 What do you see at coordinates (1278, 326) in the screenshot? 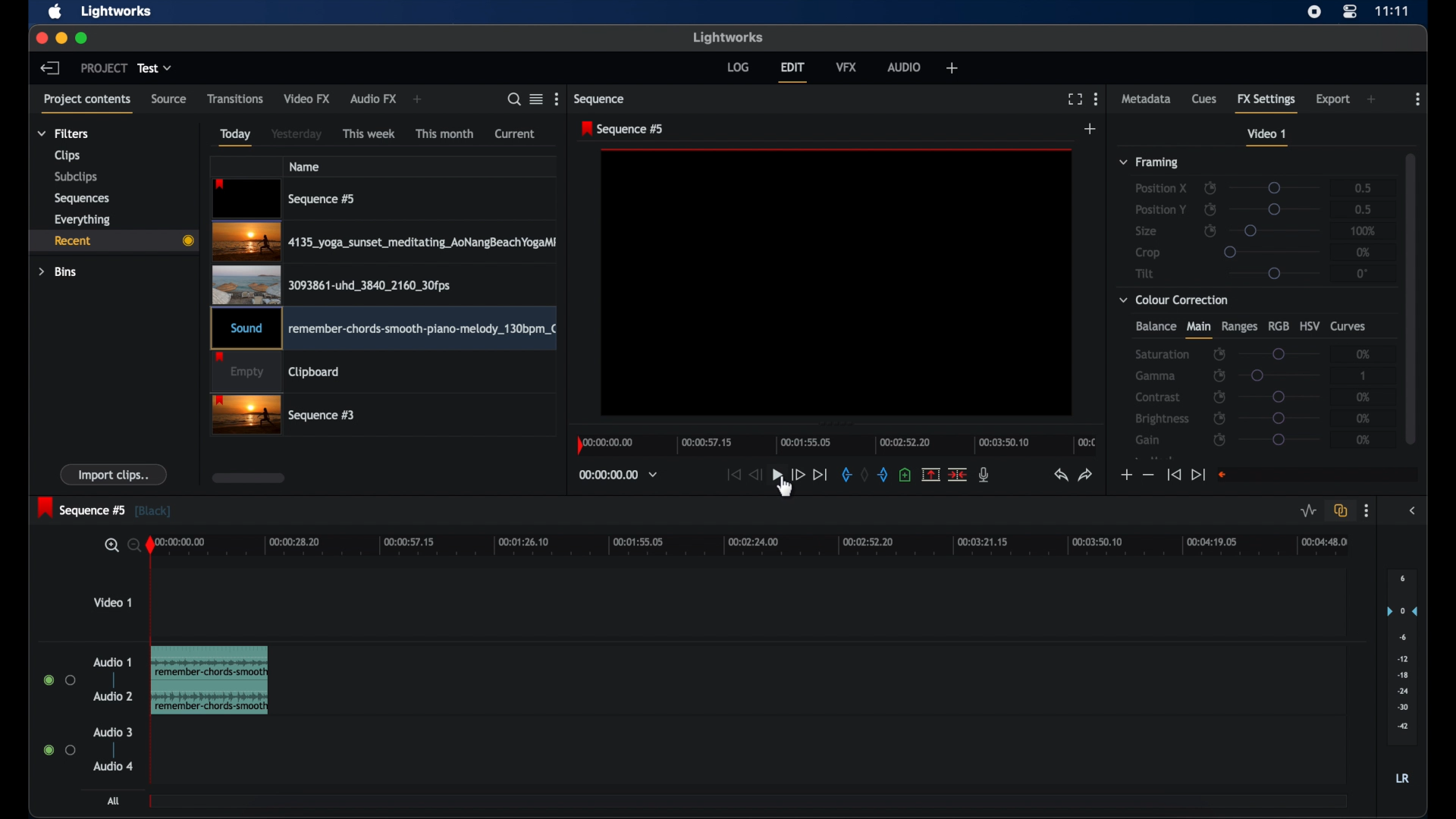
I see `rgb` at bounding box center [1278, 326].